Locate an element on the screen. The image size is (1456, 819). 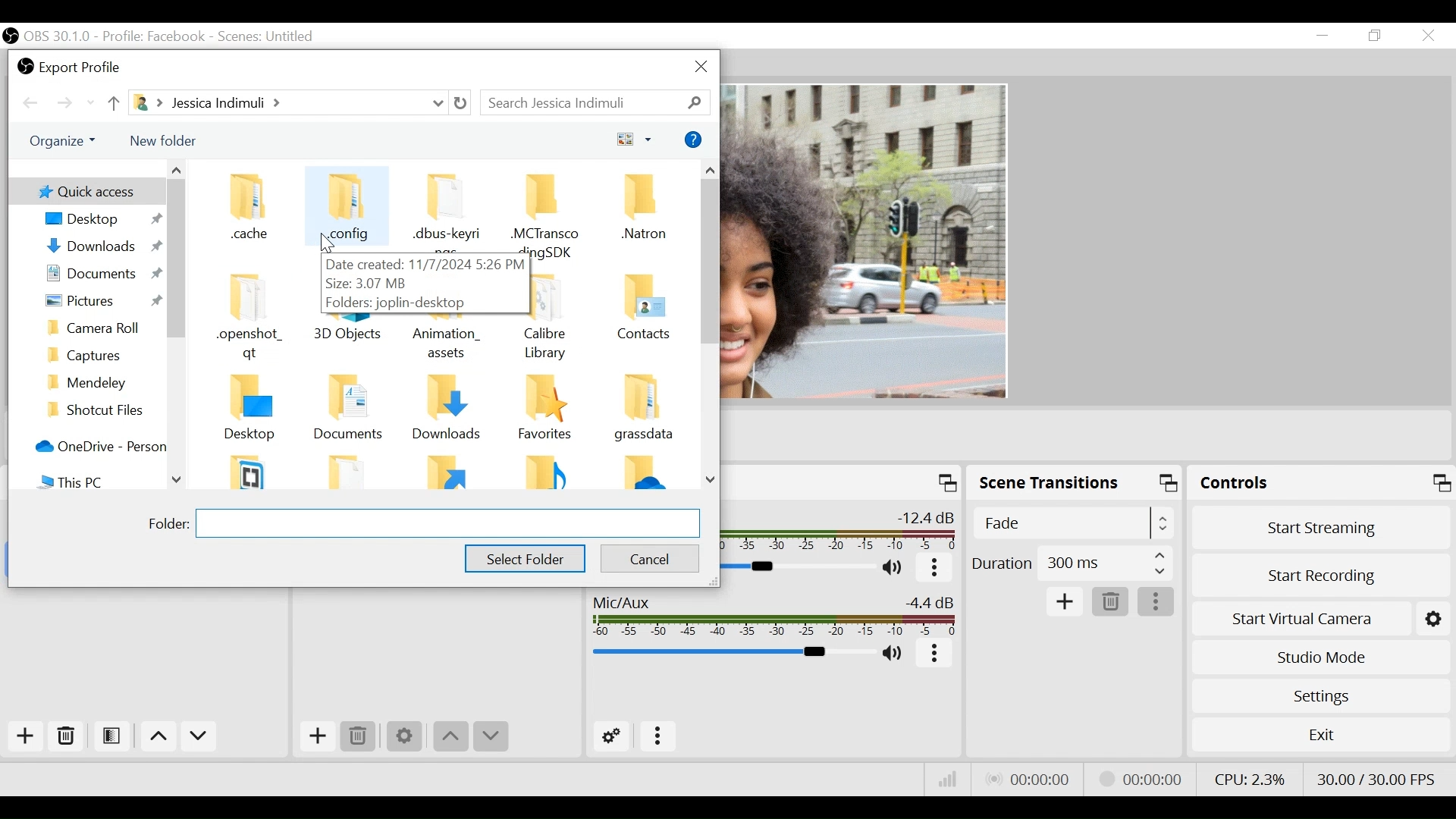
Scroll up is located at coordinates (175, 169).